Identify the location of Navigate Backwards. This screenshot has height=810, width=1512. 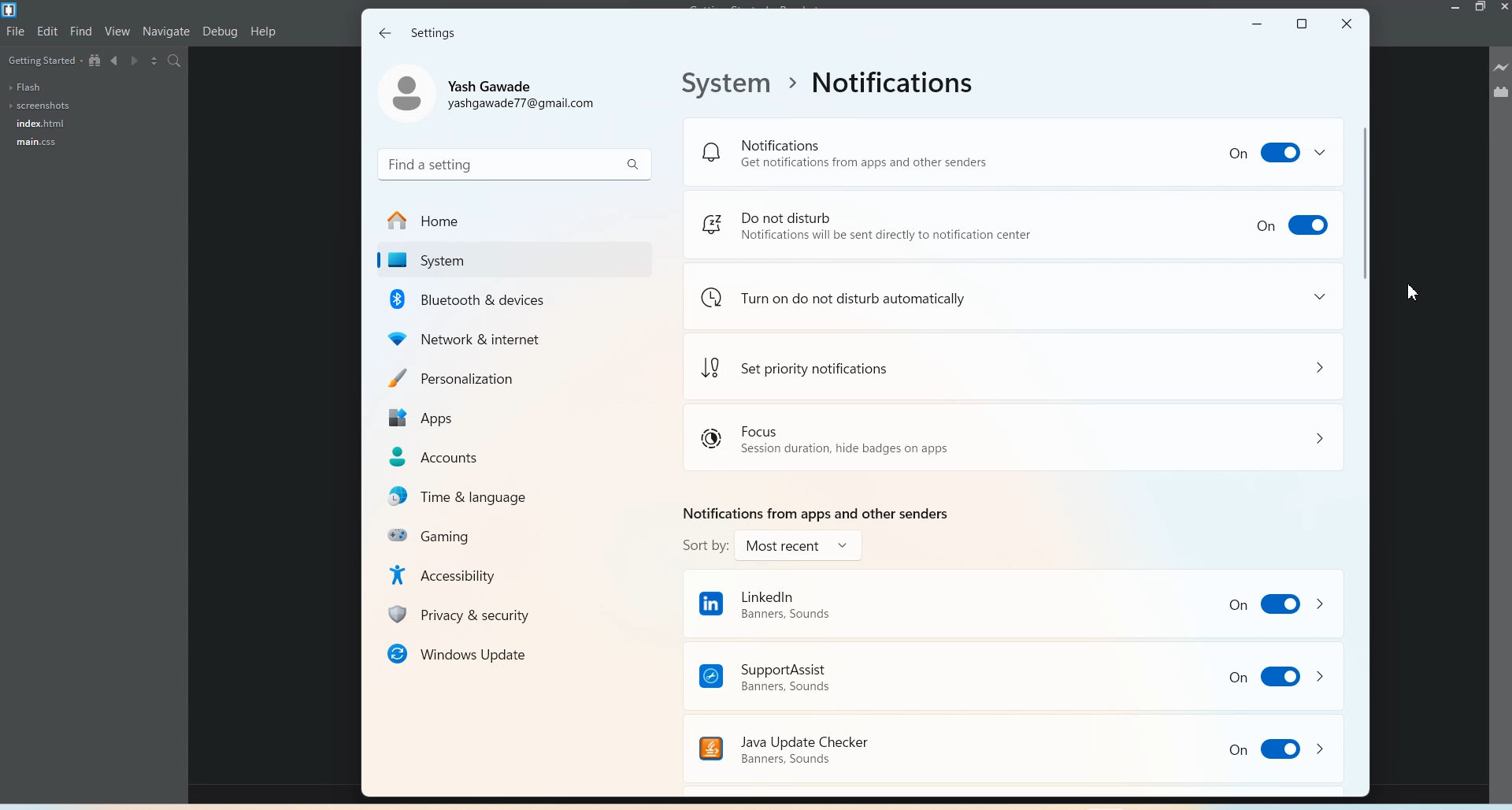
(116, 61).